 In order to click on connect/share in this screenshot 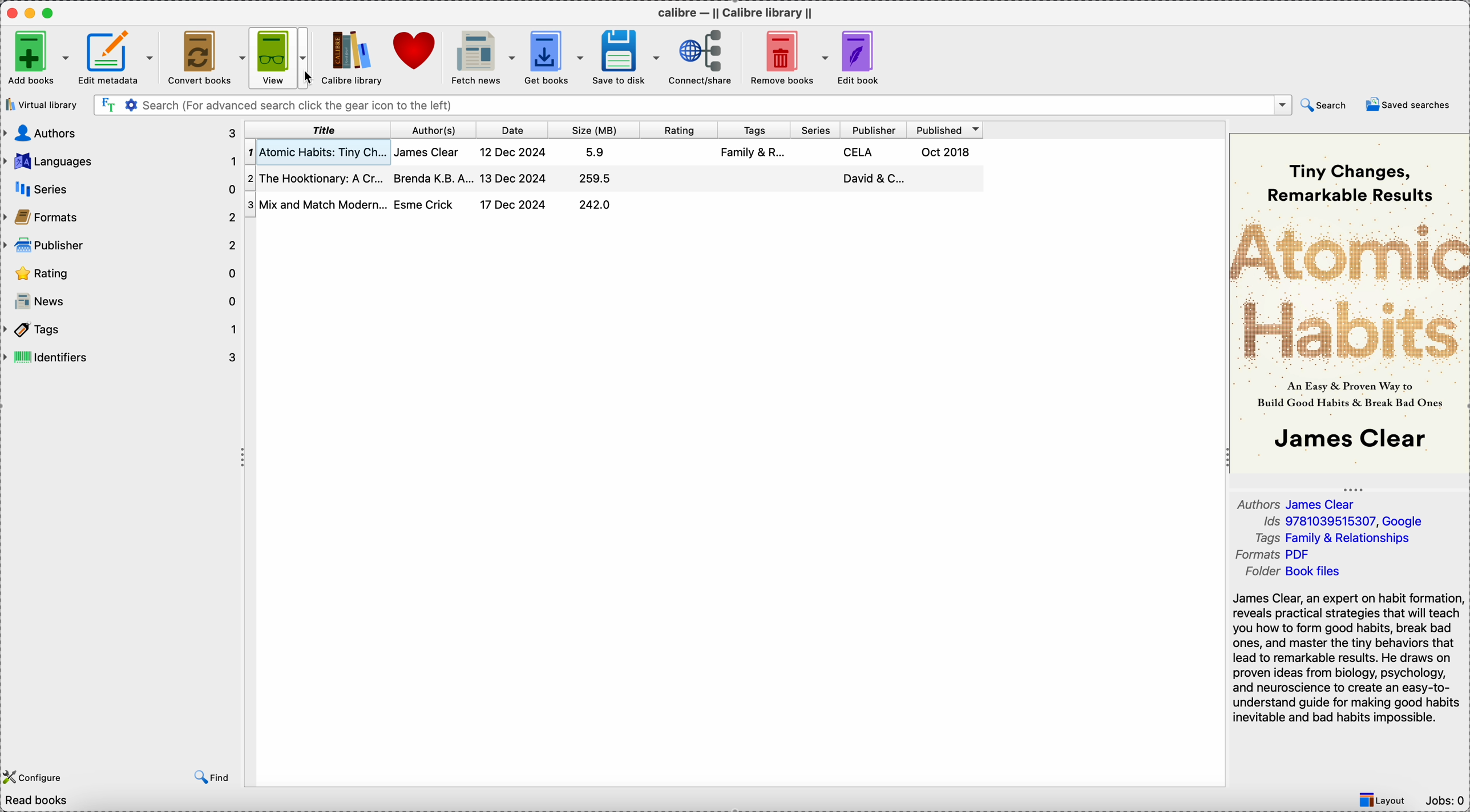, I will do `click(700, 57)`.